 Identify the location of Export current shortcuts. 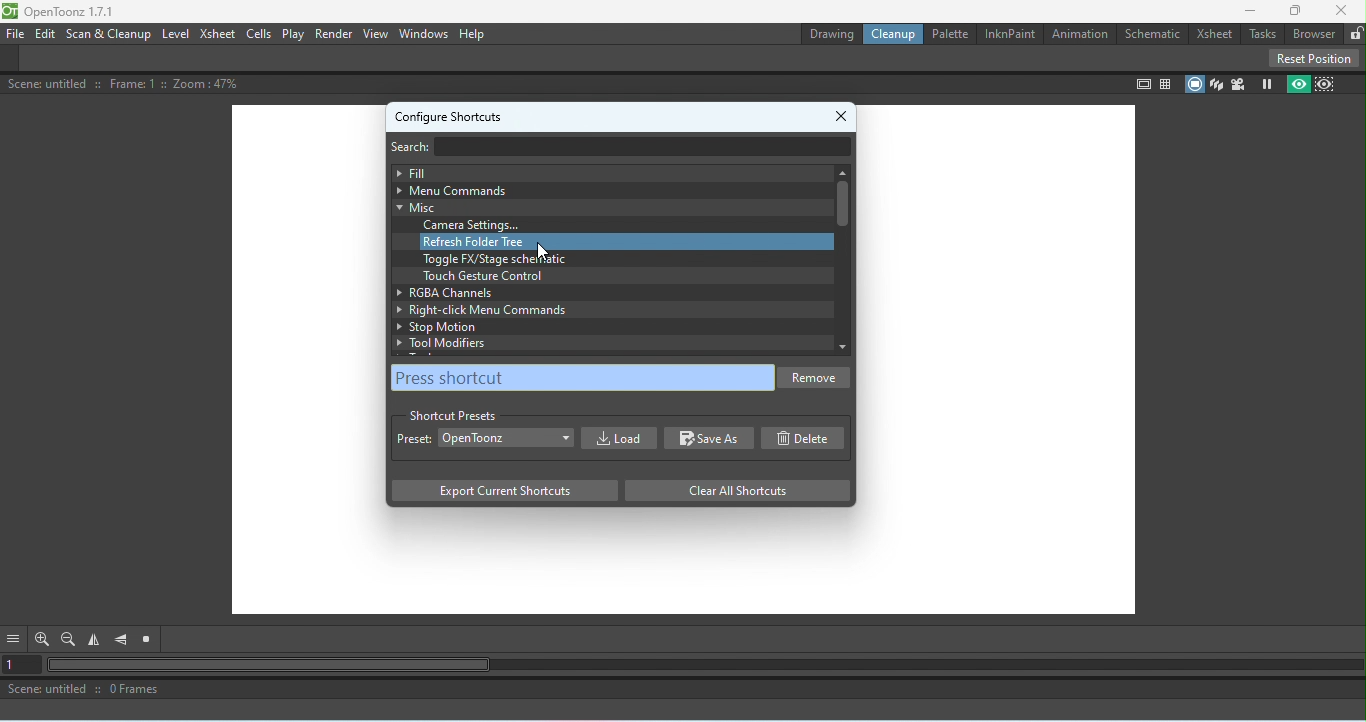
(503, 492).